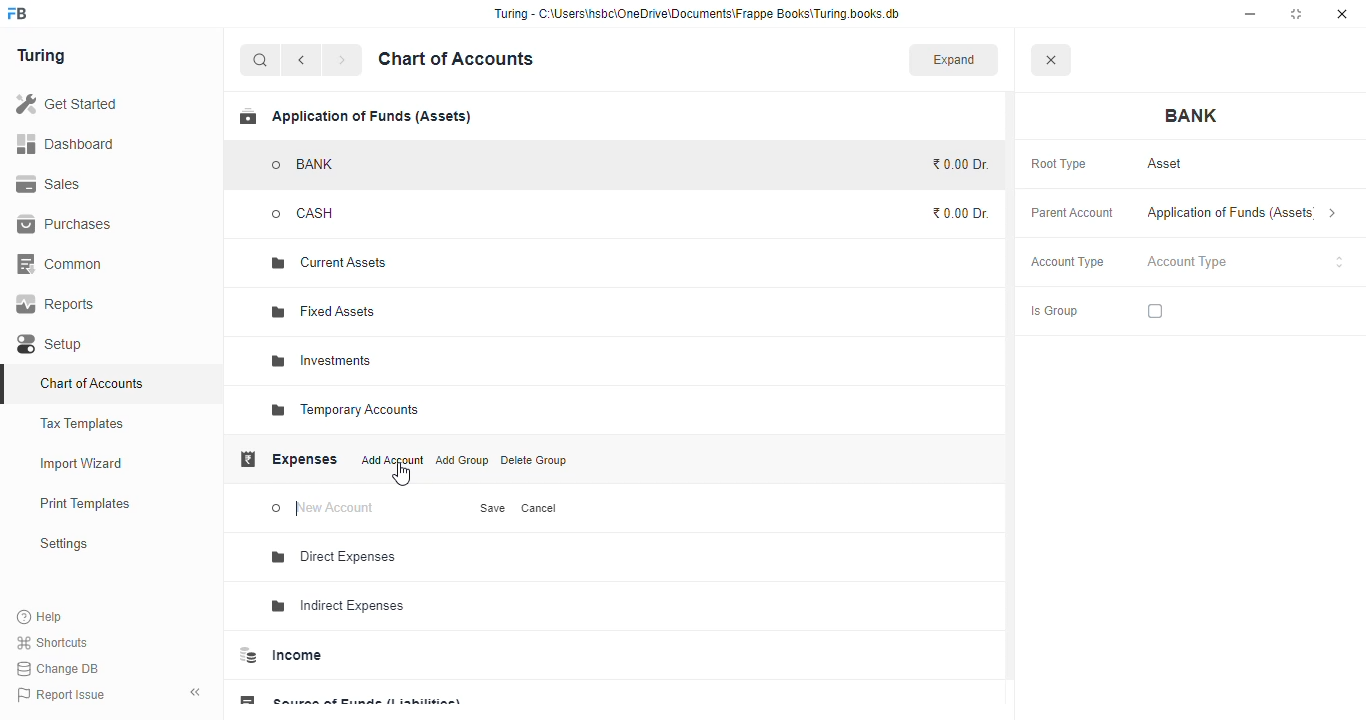 The image size is (1366, 720). What do you see at coordinates (18, 13) in the screenshot?
I see `logo` at bounding box center [18, 13].